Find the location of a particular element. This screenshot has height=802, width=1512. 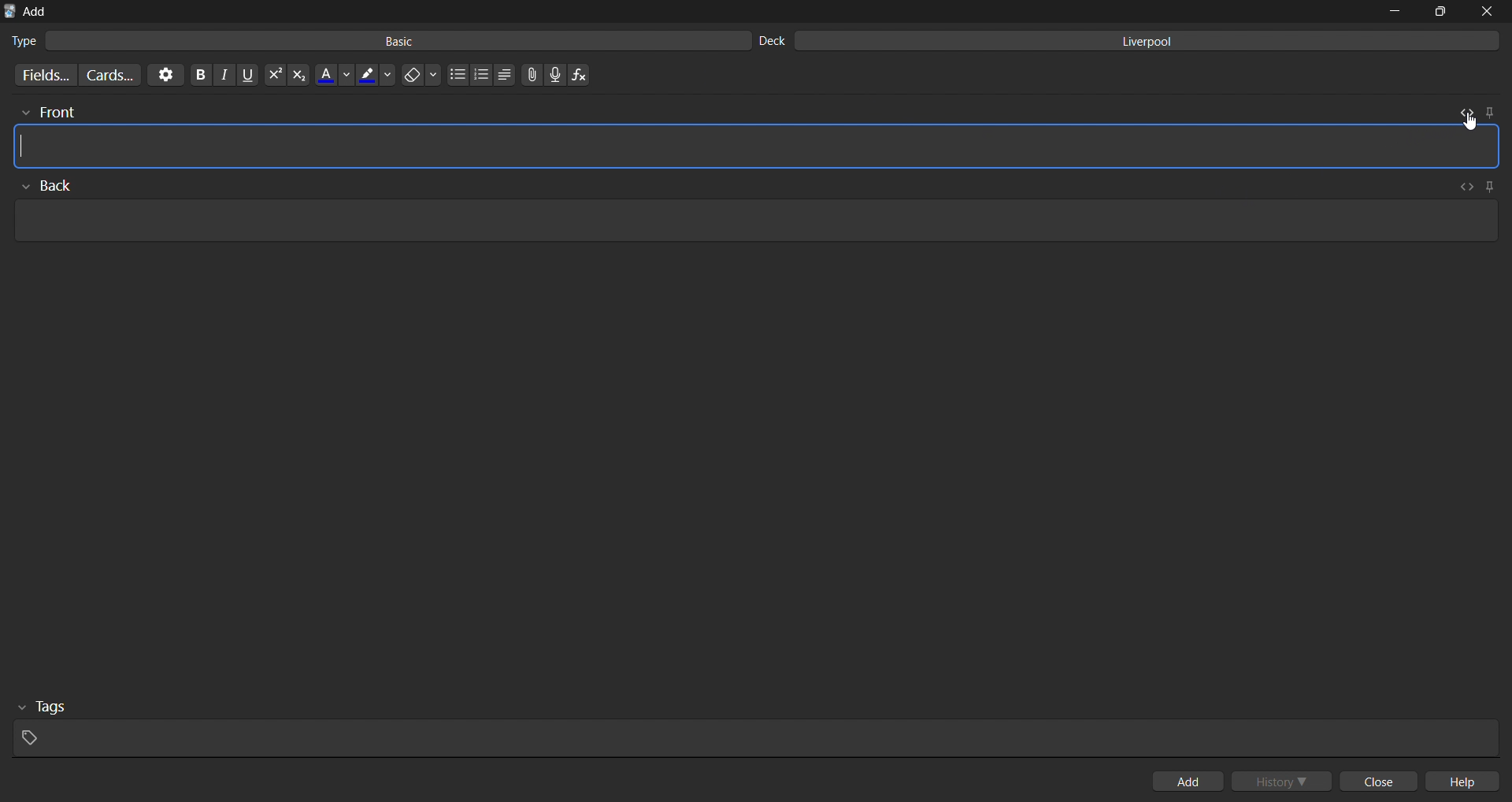

minimize is located at coordinates (1393, 11).